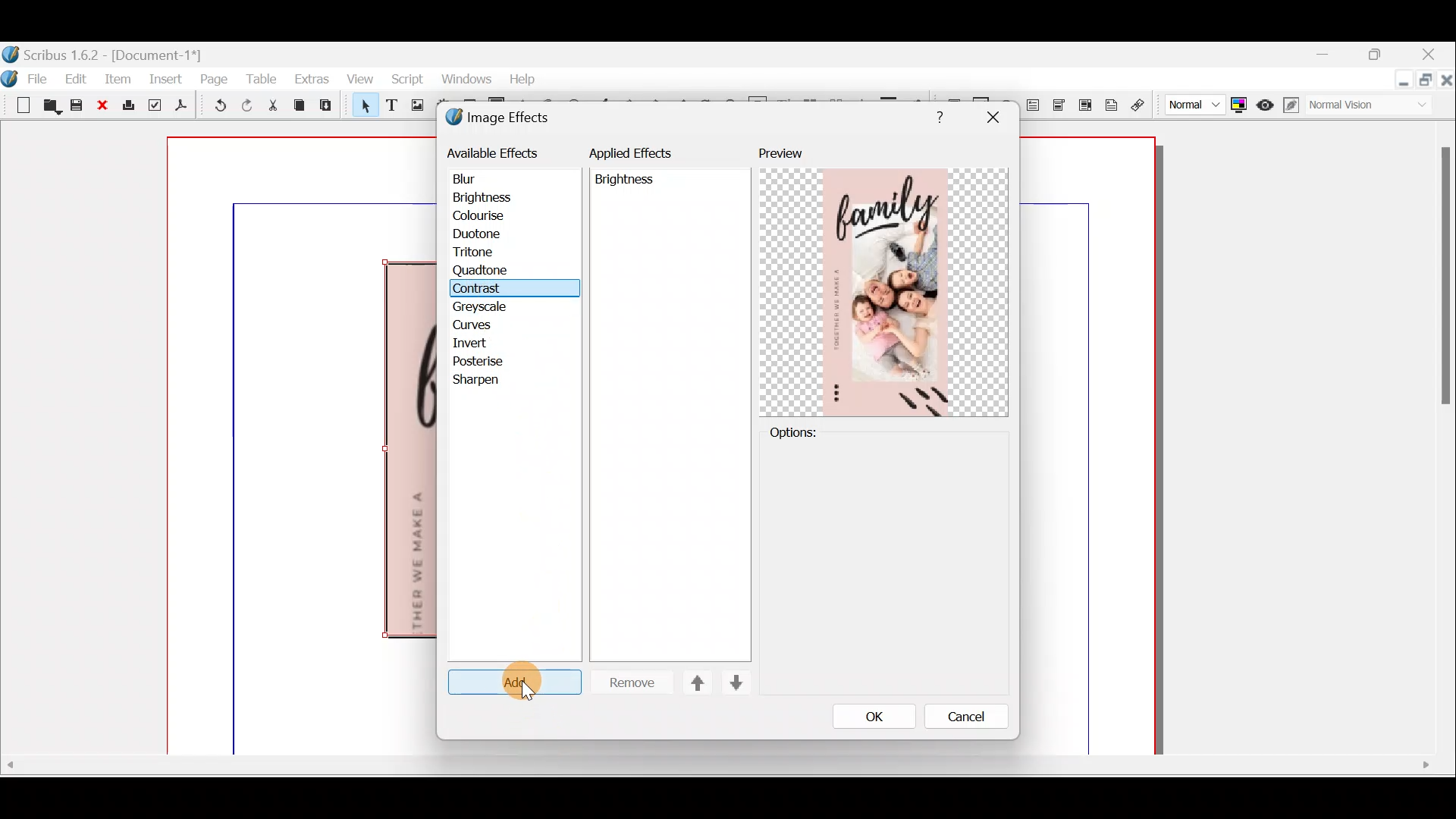  I want to click on Link annotation, so click(1140, 105).